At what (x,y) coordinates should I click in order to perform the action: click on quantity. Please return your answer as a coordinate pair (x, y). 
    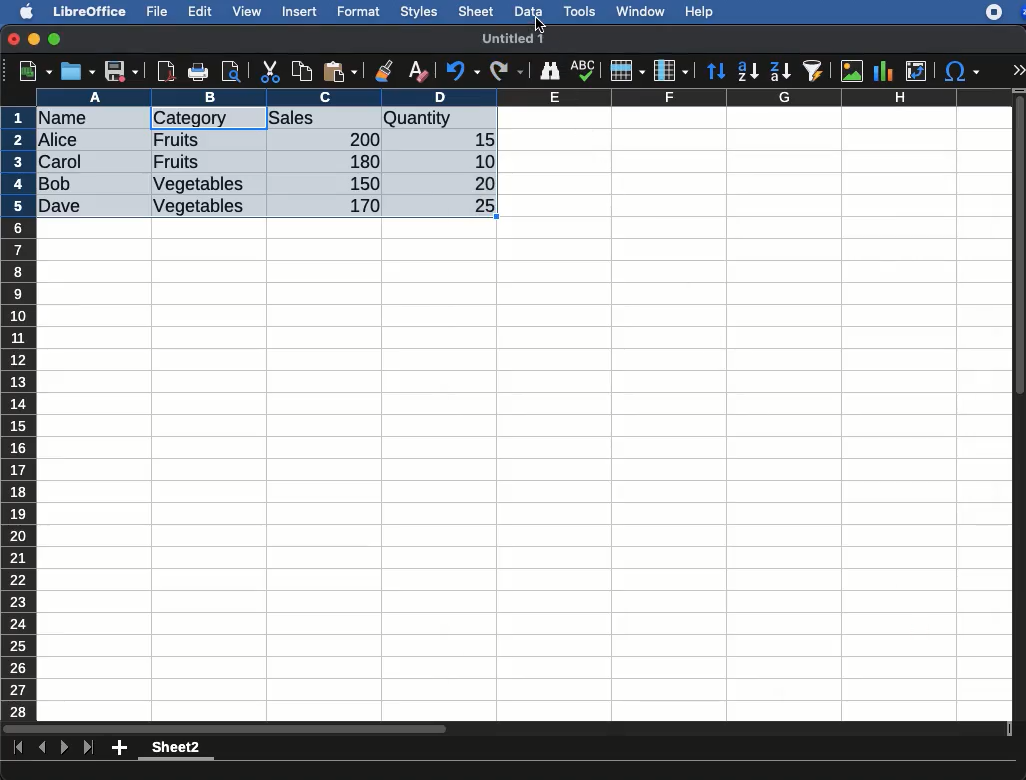
    Looking at the image, I should click on (439, 120).